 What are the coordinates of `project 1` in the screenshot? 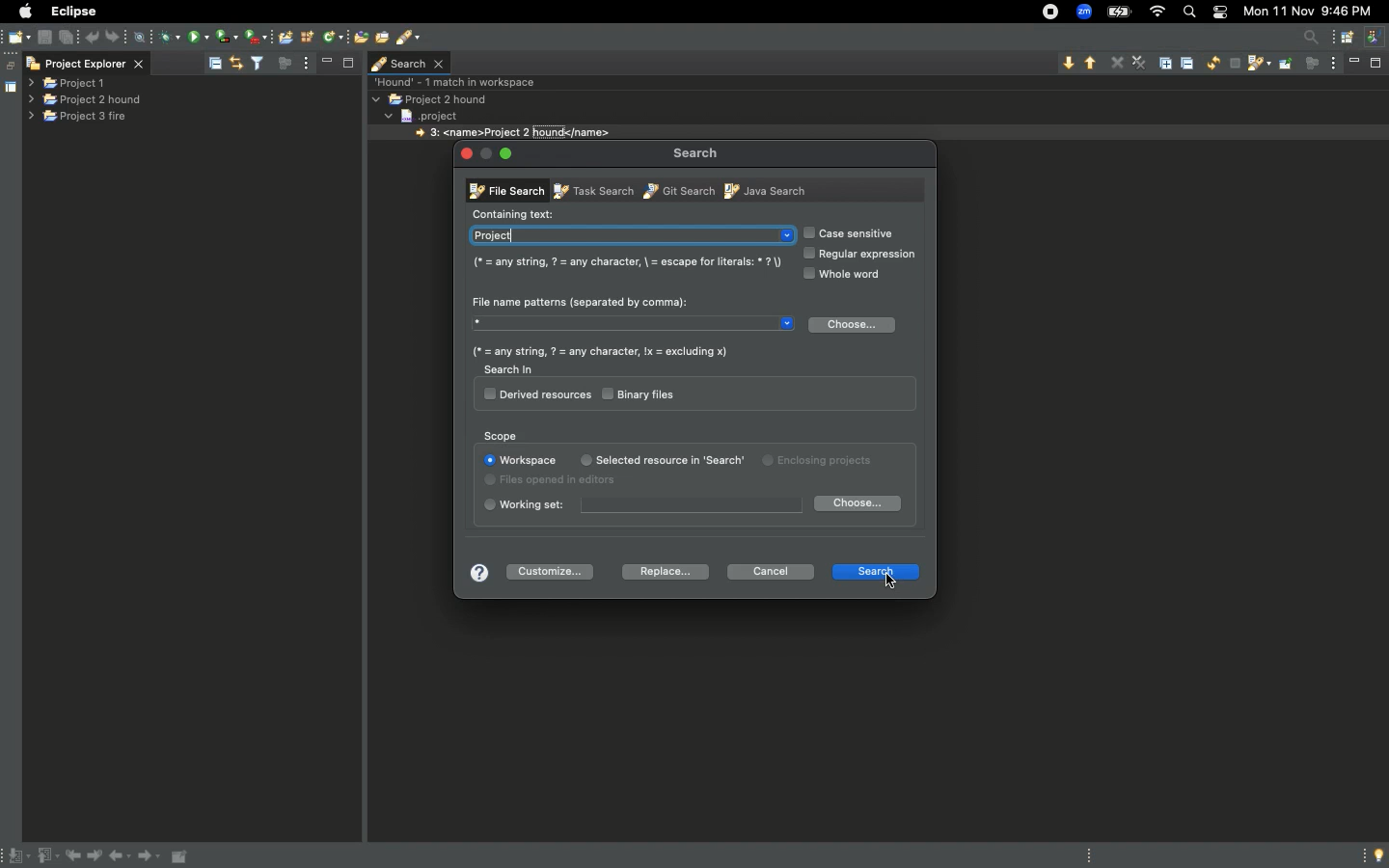 It's located at (68, 84).